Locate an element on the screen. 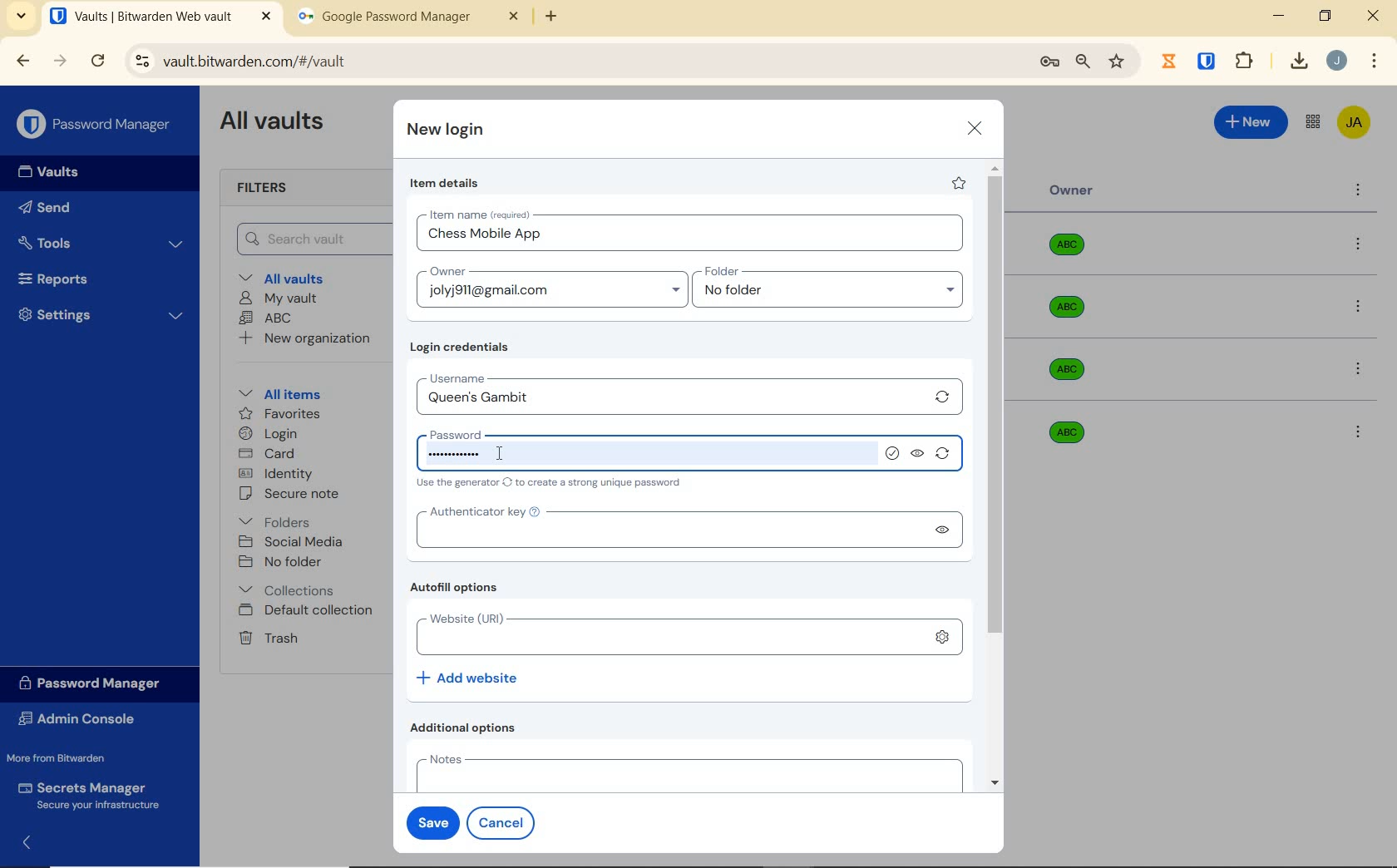  open tab is located at coordinates (160, 17).